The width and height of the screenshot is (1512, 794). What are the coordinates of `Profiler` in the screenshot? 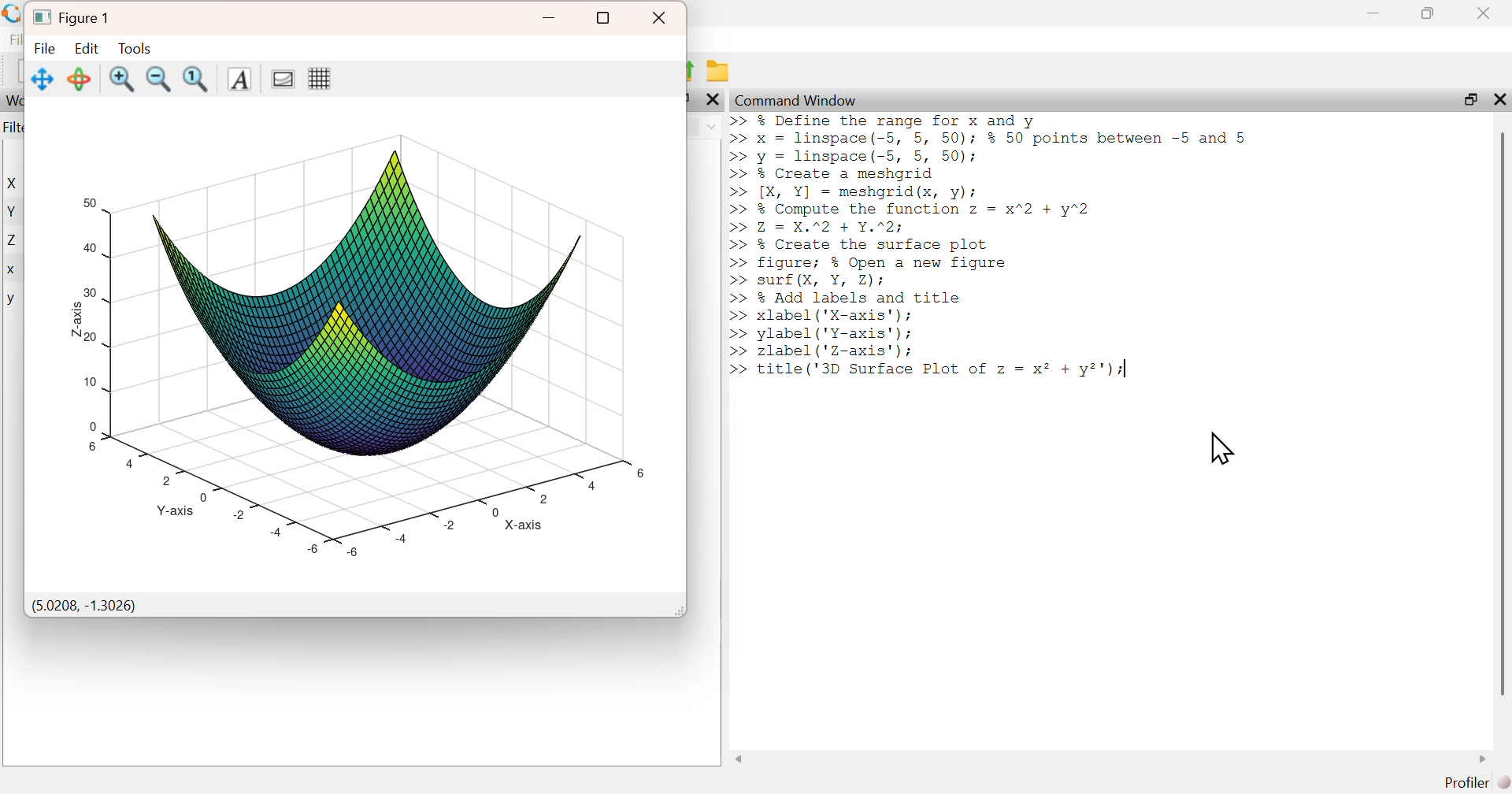 It's located at (1477, 783).